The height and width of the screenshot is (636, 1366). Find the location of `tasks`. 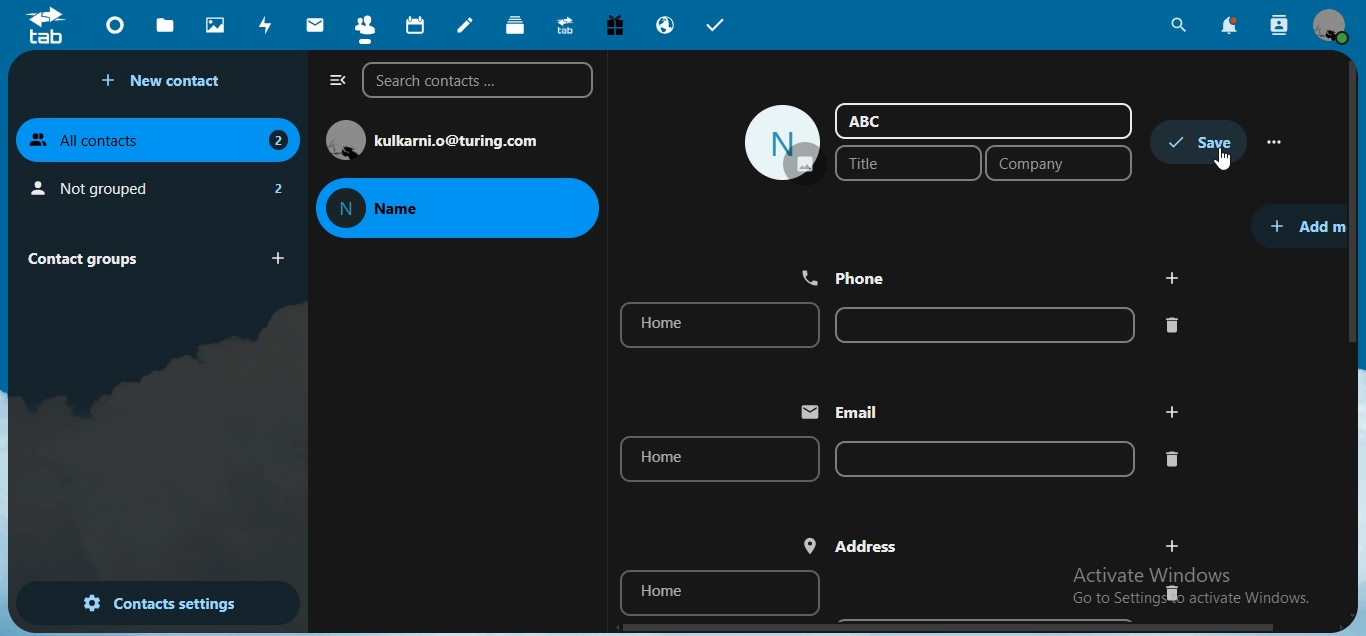

tasks is located at coordinates (716, 25).